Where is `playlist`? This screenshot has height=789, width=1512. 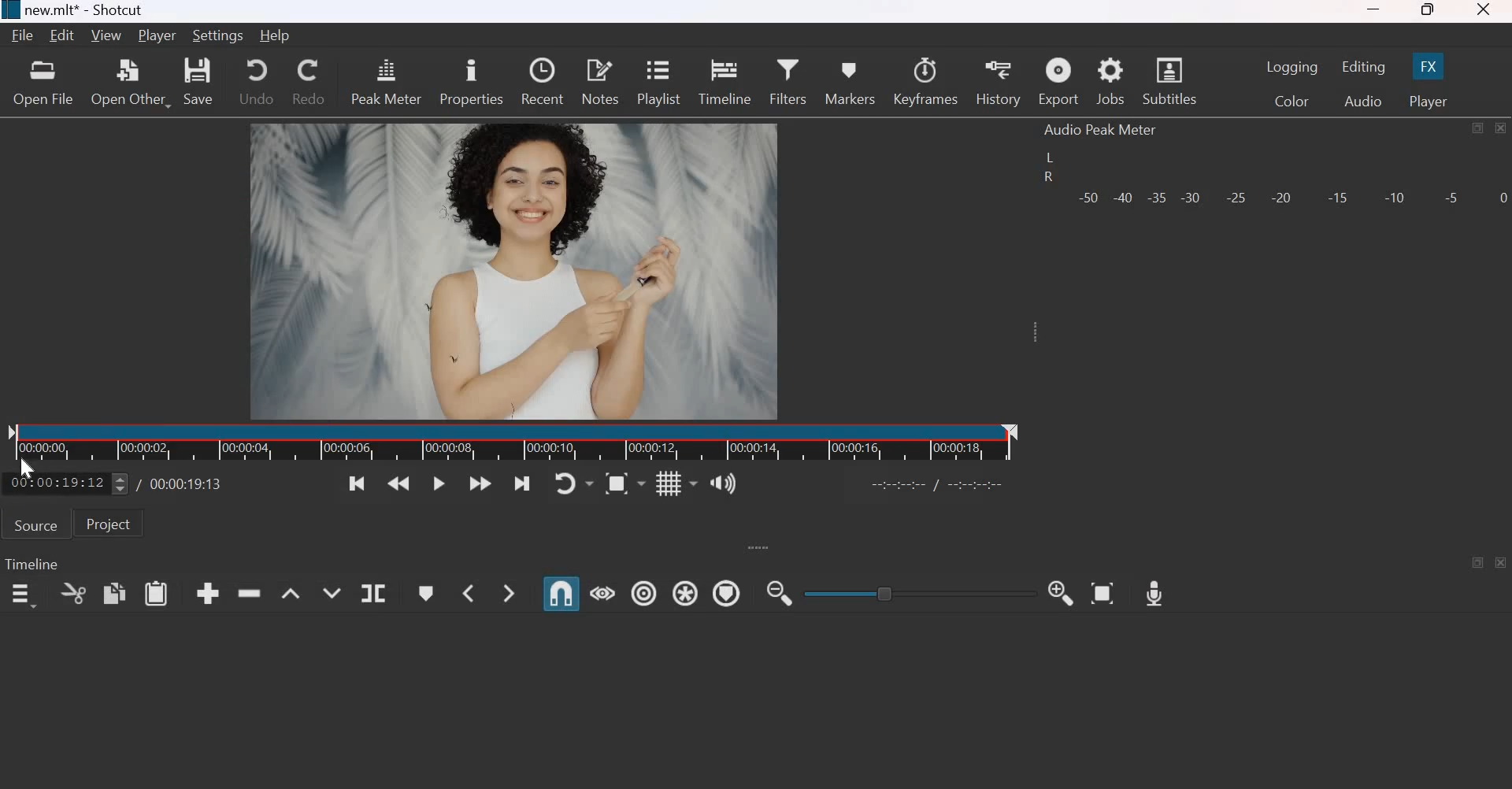 playlist is located at coordinates (658, 80).